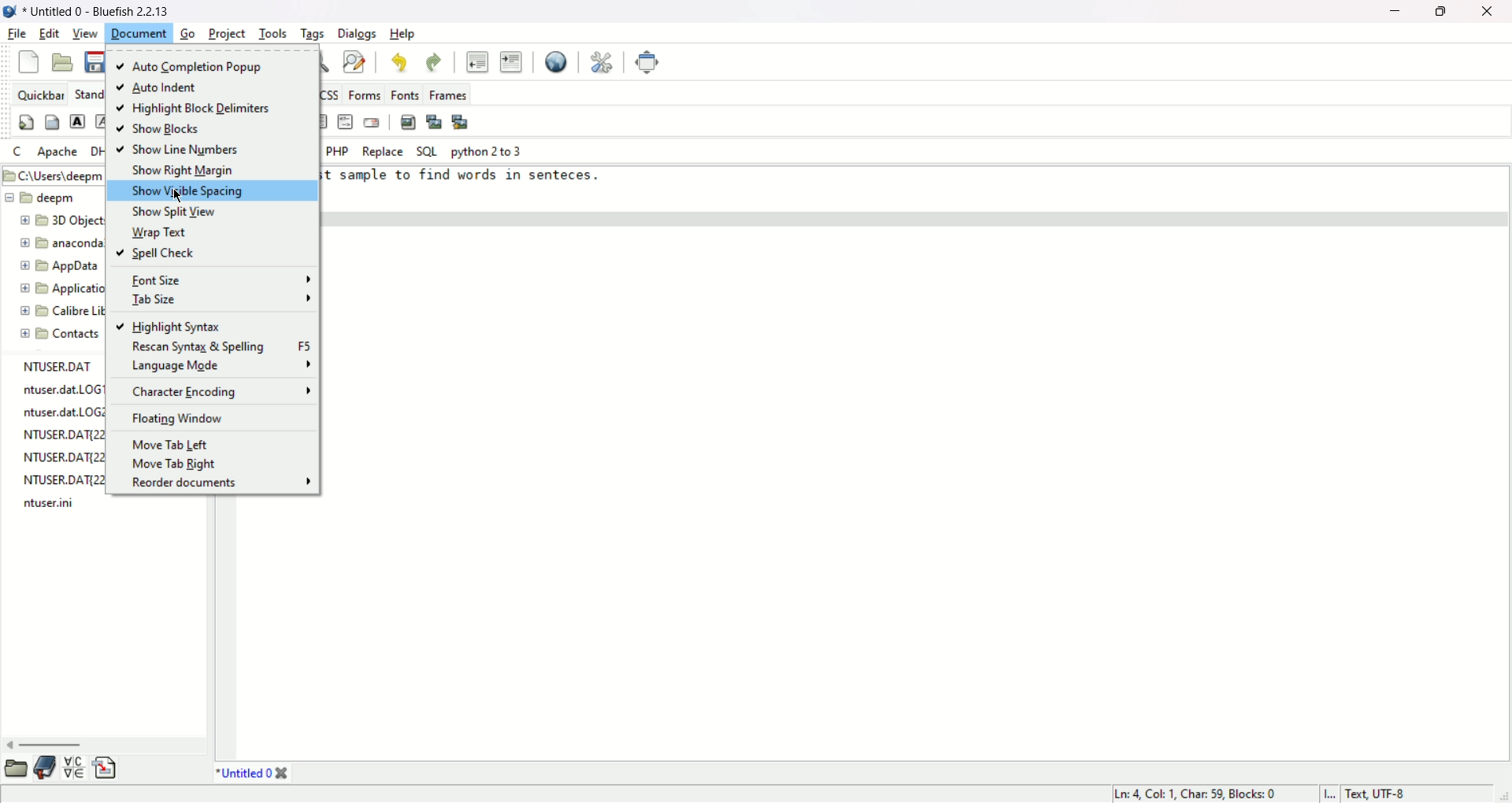 This screenshot has height=803, width=1512. I want to click on application icon, so click(9, 11).